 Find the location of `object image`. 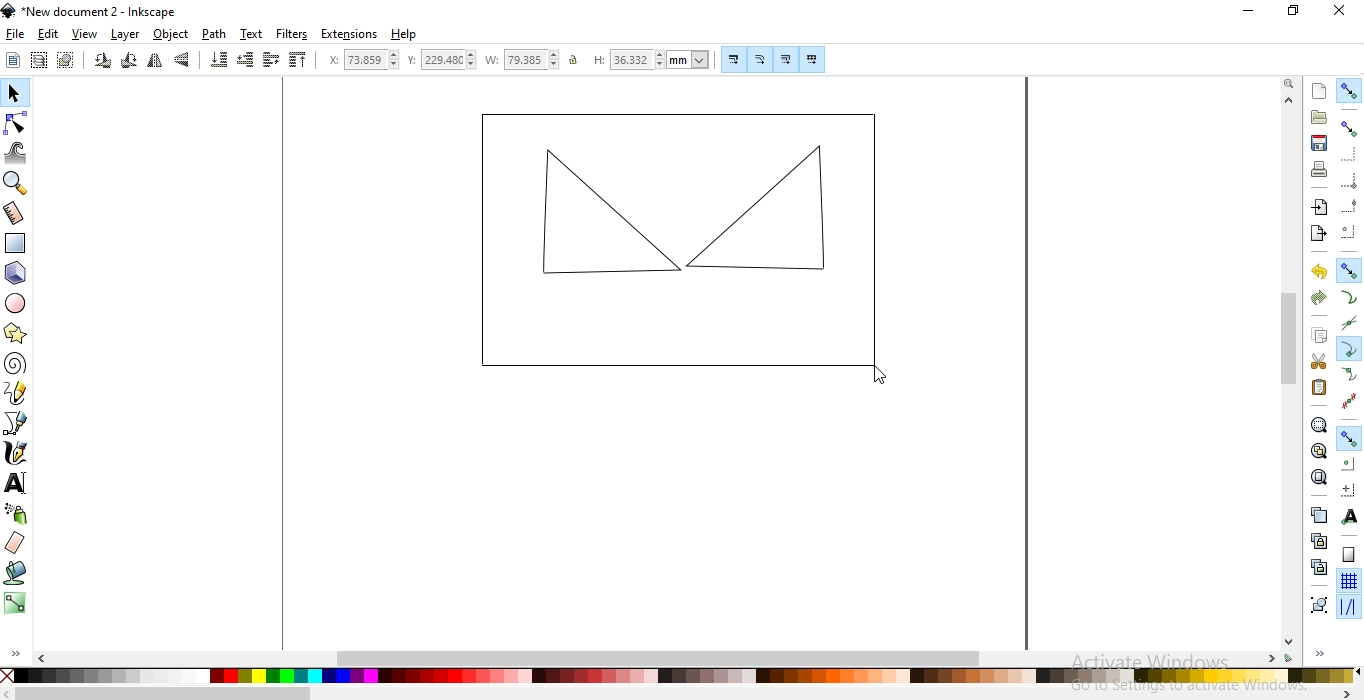

object image is located at coordinates (684, 245).